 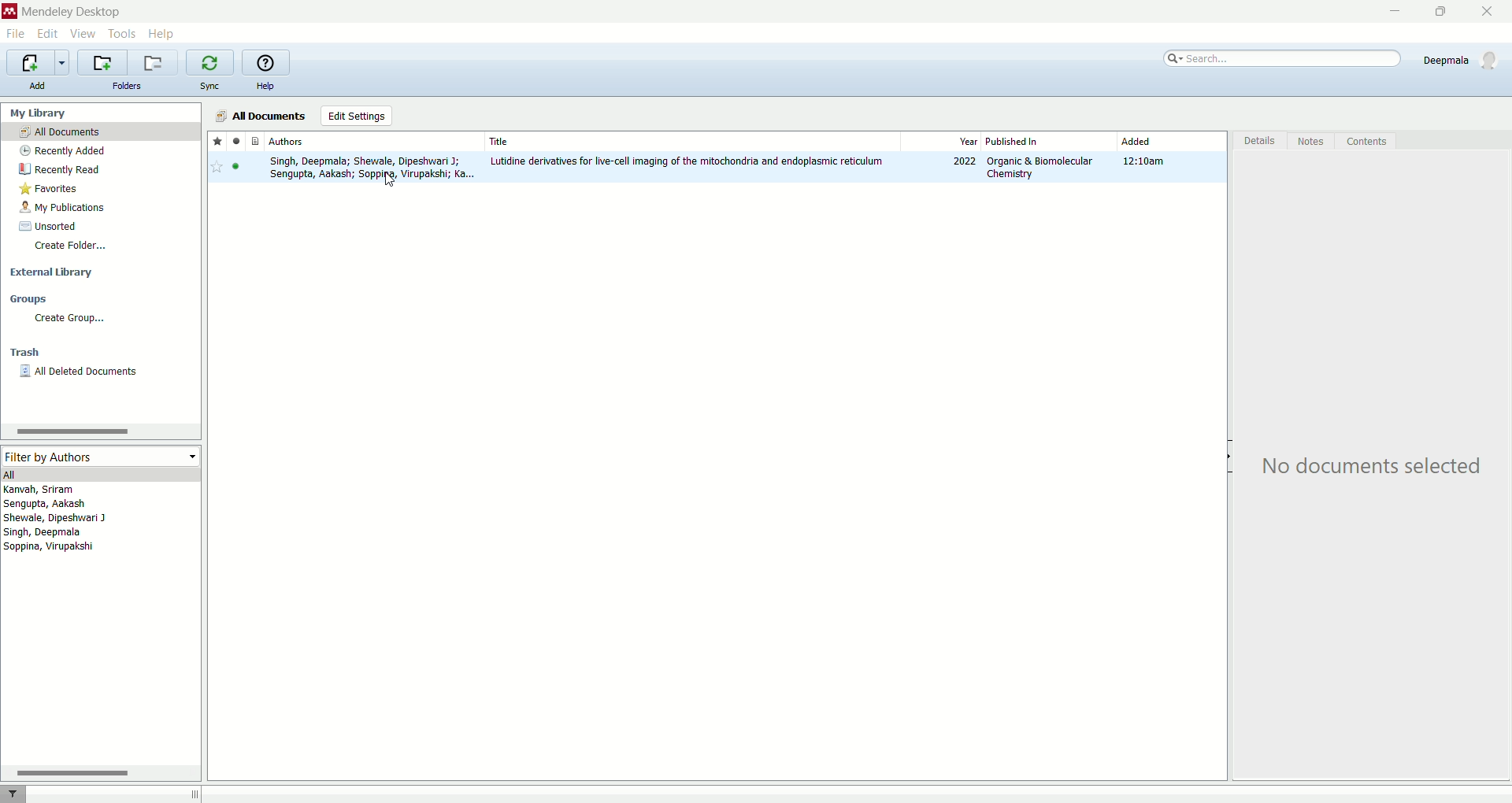 I want to click on recently added, so click(x=99, y=151).